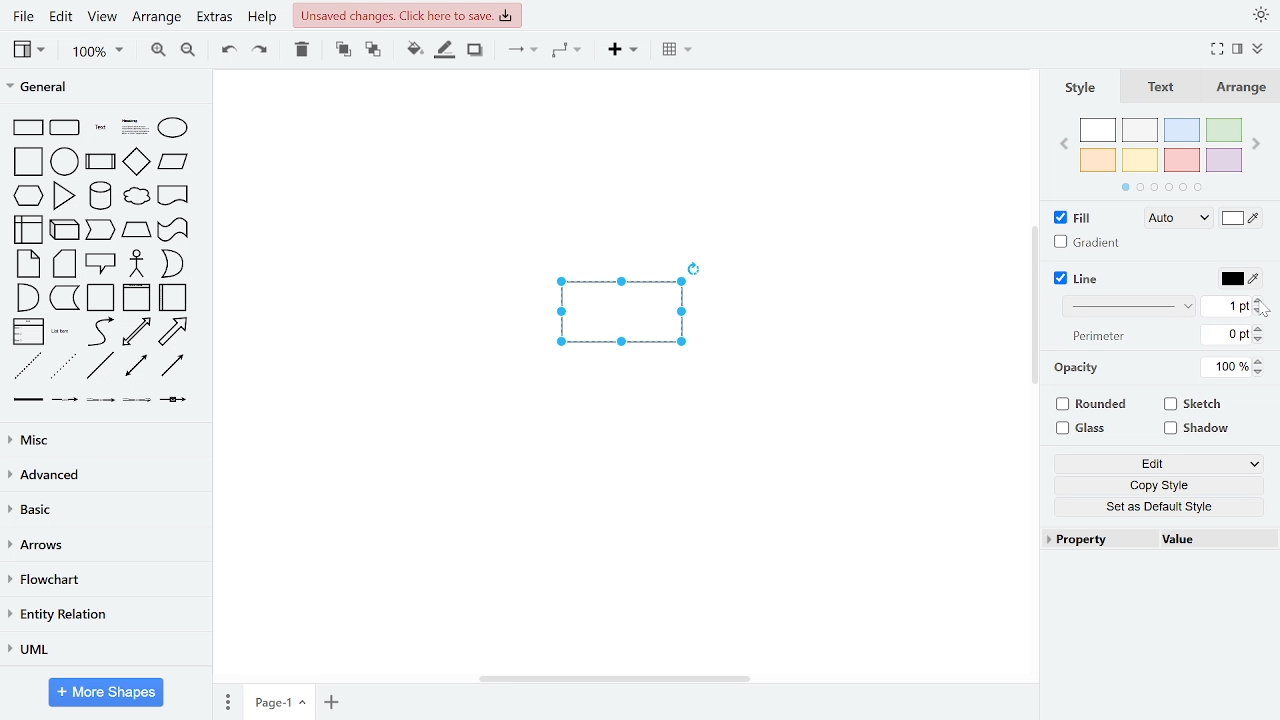  What do you see at coordinates (156, 15) in the screenshot?
I see `arrange` at bounding box center [156, 15].